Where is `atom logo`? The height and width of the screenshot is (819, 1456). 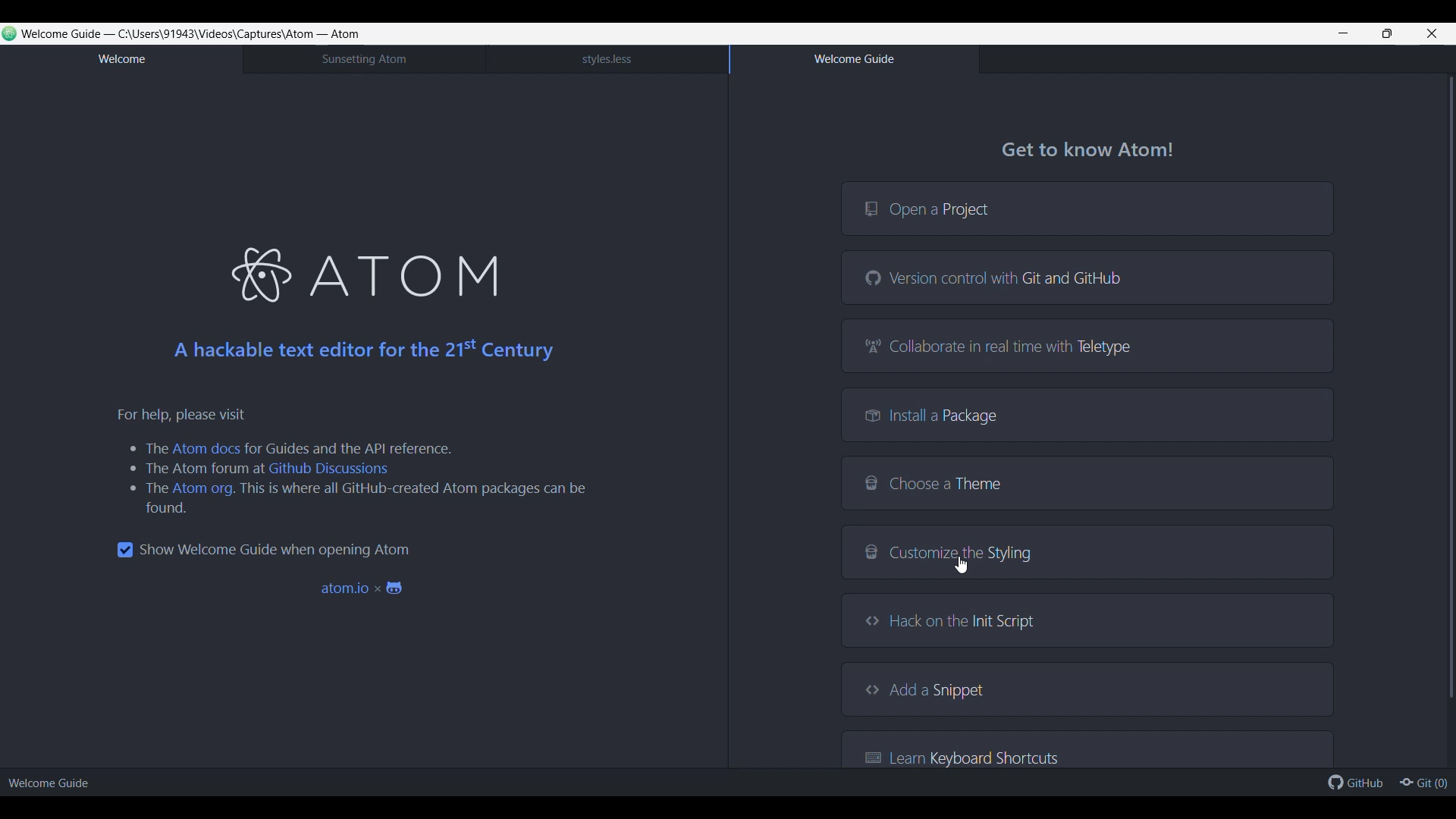
atom logo is located at coordinates (259, 276).